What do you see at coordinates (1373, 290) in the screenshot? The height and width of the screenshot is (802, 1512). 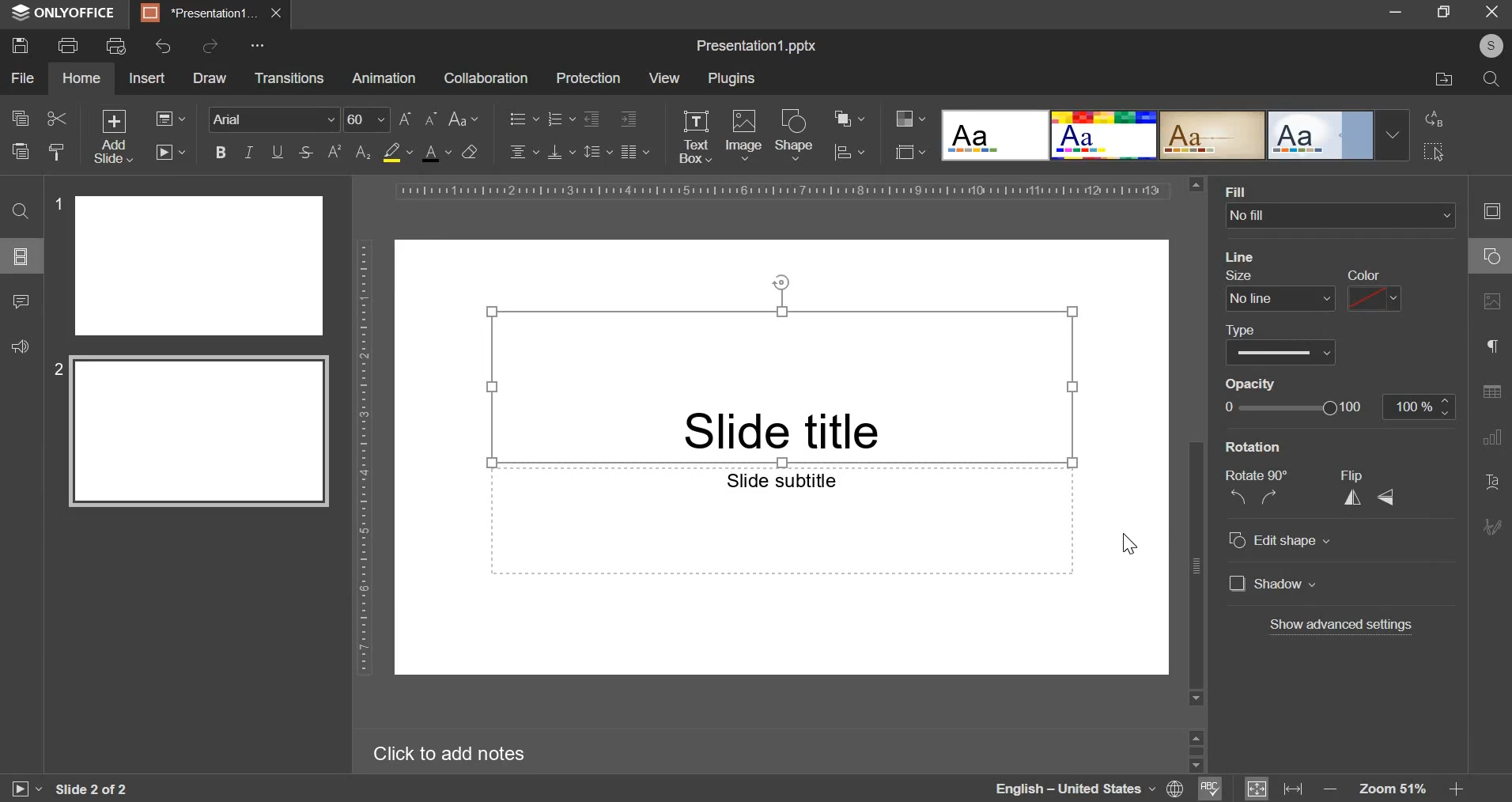 I see `color` at bounding box center [1373, 290].